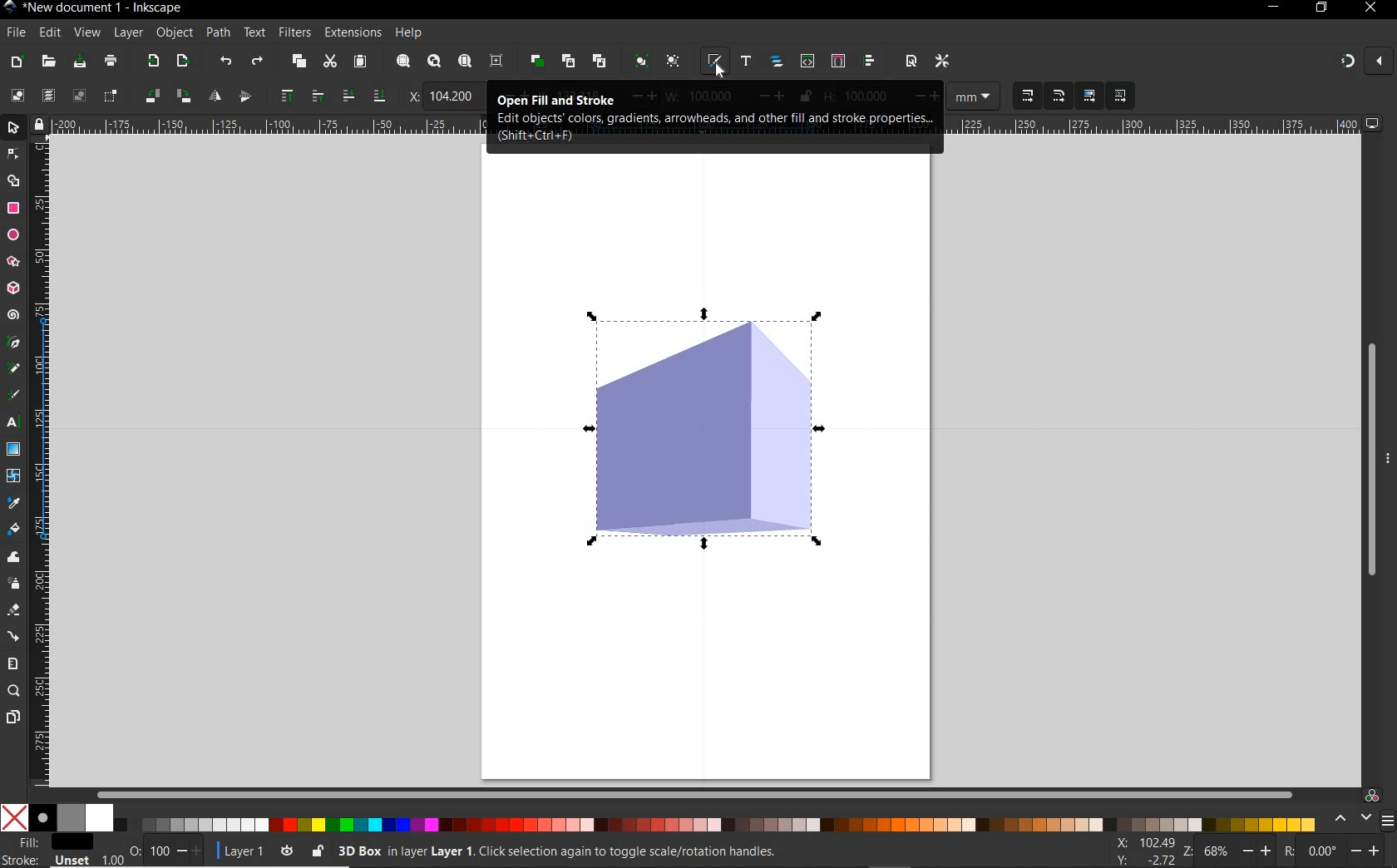 Image resolution: width=1397 pixels, height=868 pixels. I want to click on COLOR MODE, so click(659, 818).